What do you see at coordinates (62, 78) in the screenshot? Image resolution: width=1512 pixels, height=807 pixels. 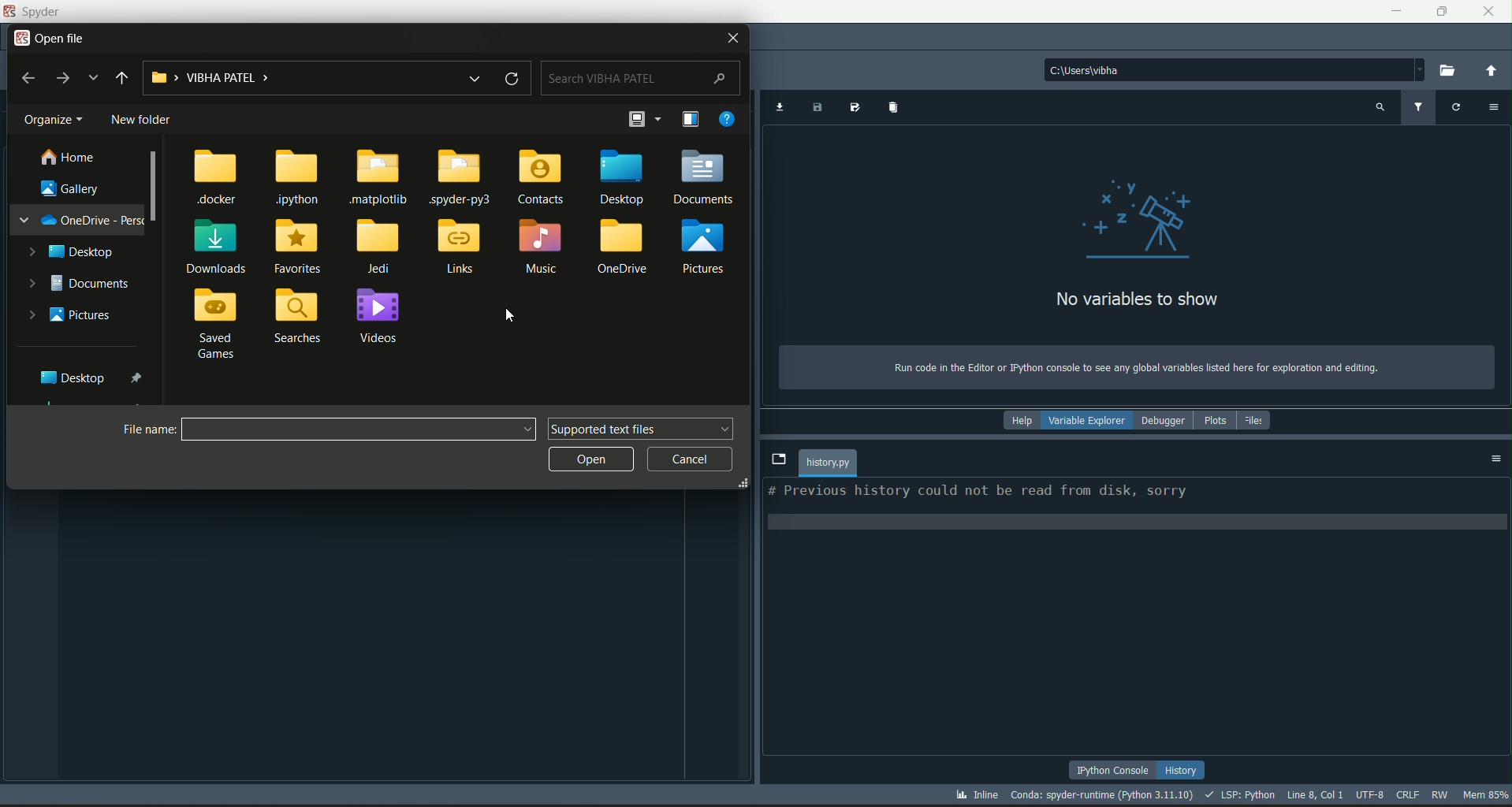 I see `forward` at bounding box center [62, 78].